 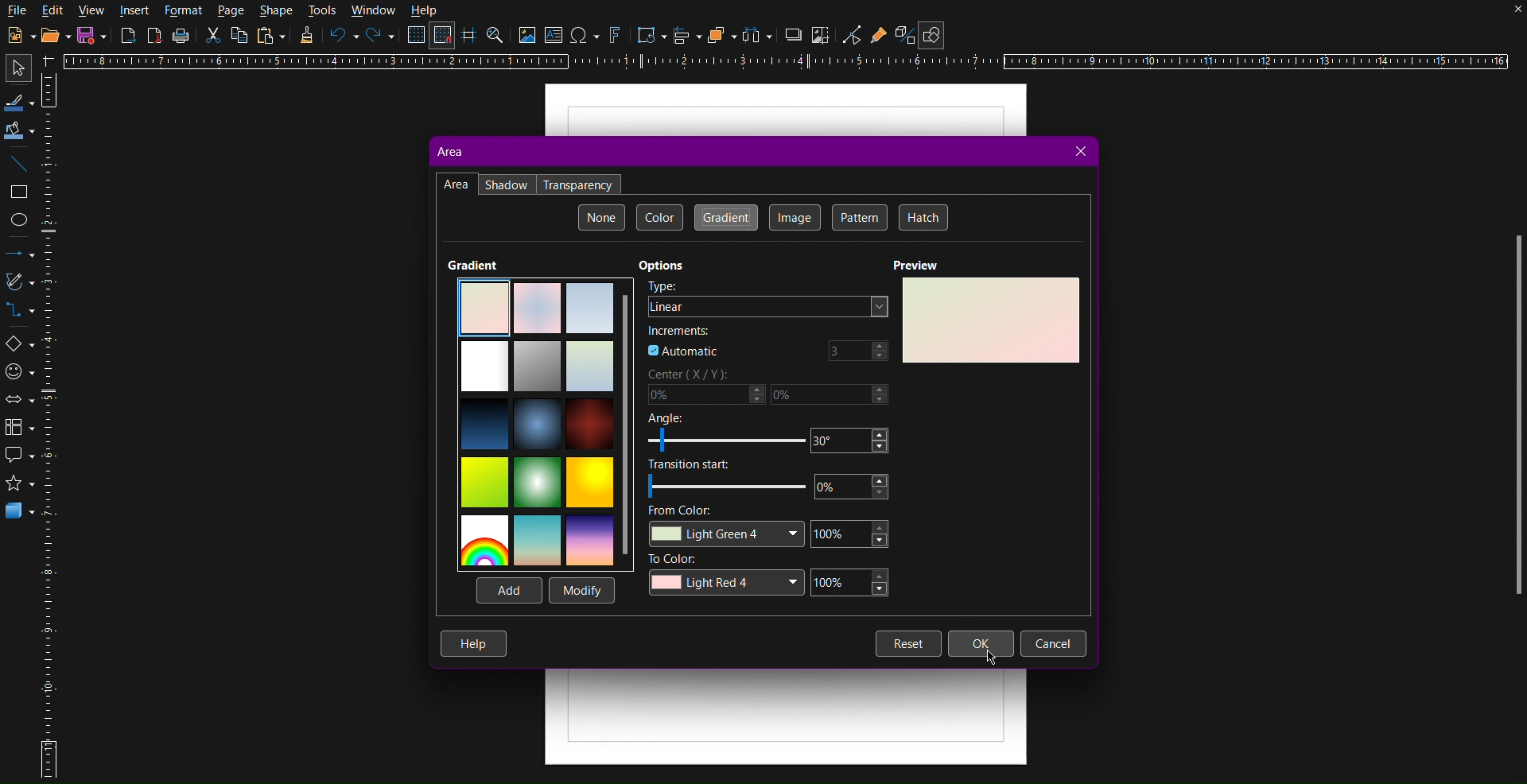 What do you see at coordinates (20, 514) in the screenshot?
I see `3D Objects` at bounding box center [20, 514].